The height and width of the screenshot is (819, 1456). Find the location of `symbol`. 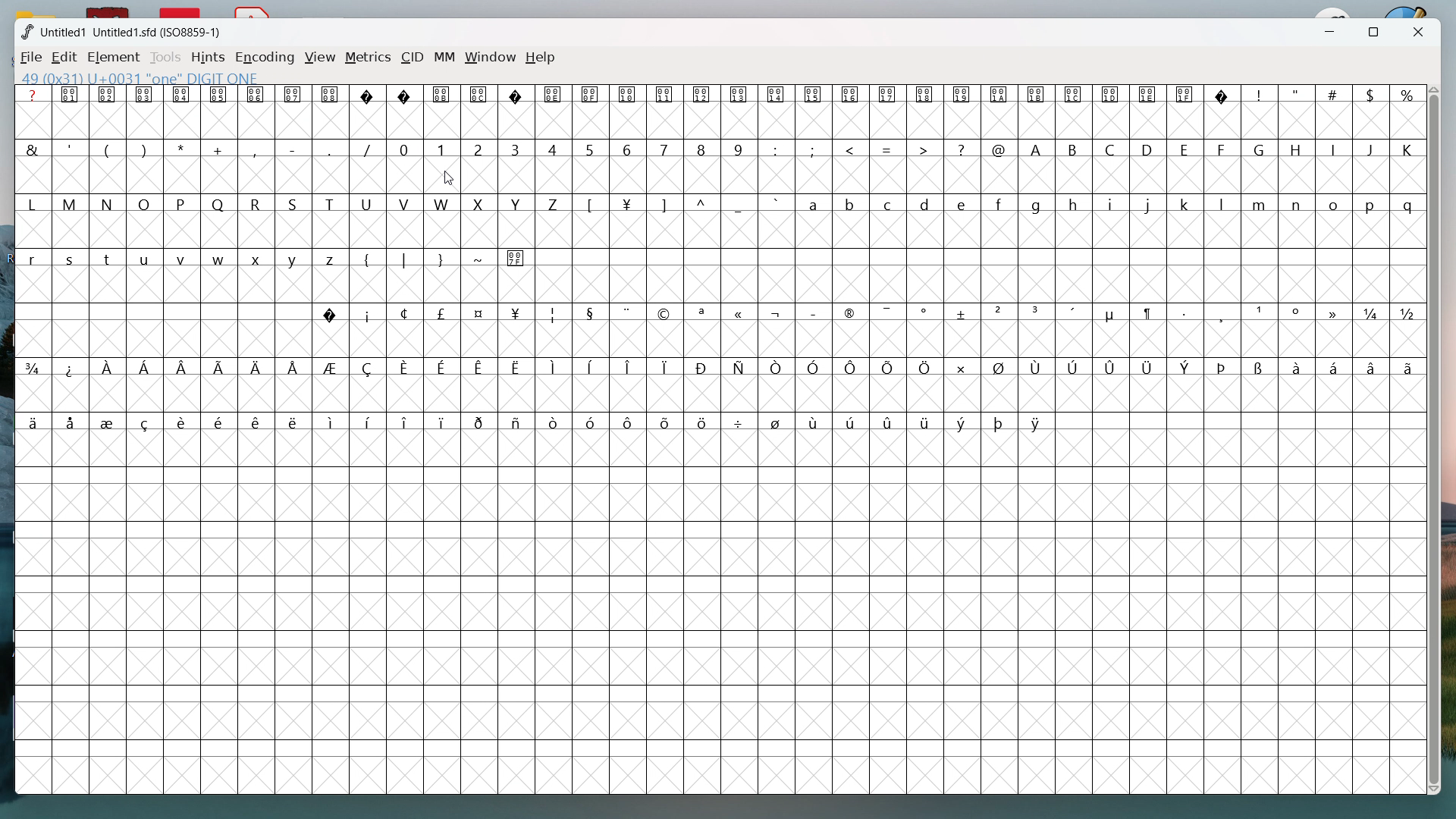

symbol is located at coordinates (777, 94).